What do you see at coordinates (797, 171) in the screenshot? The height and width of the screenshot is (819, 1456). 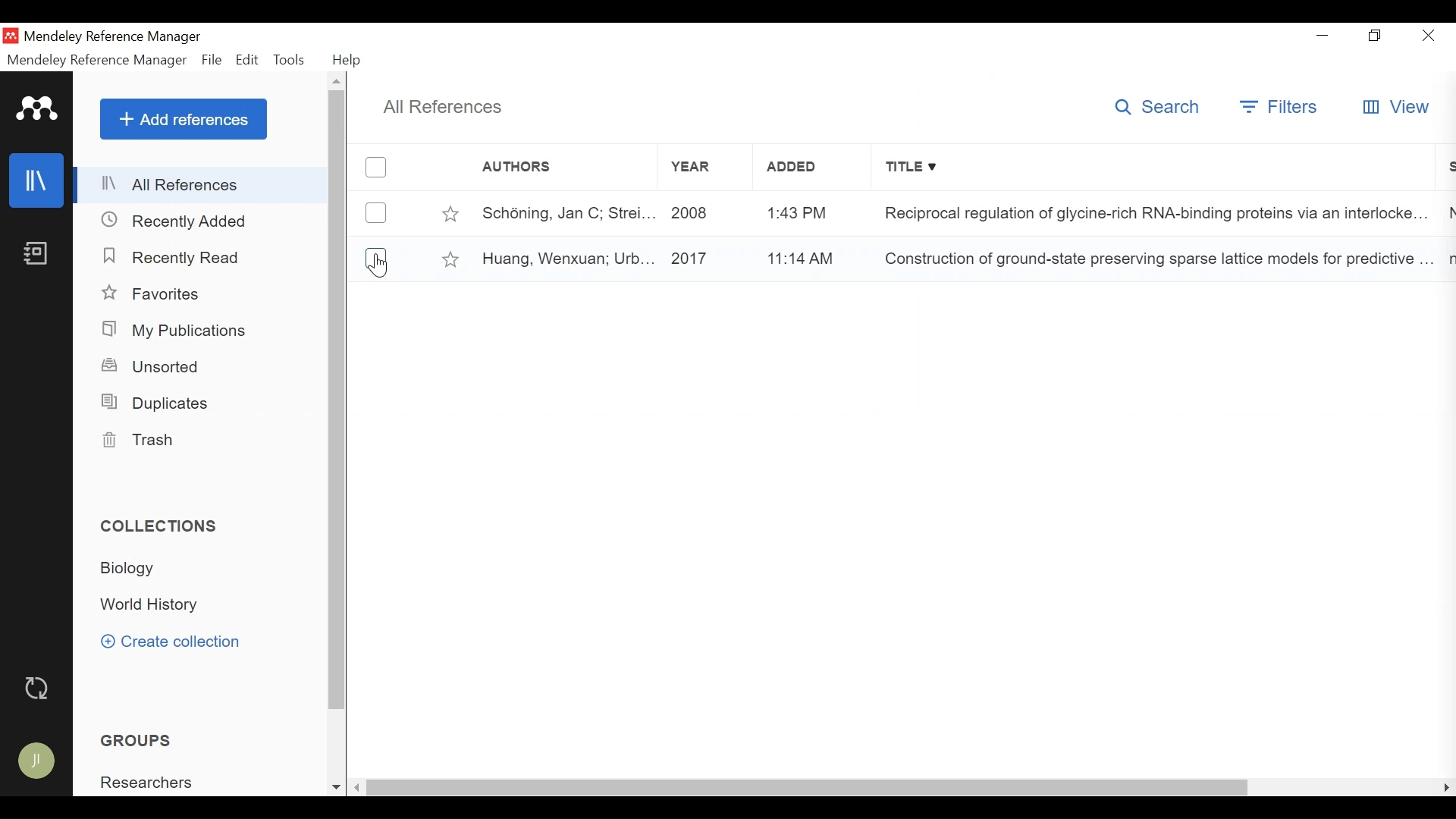 I see `Added` at bounding box center [797, 171].